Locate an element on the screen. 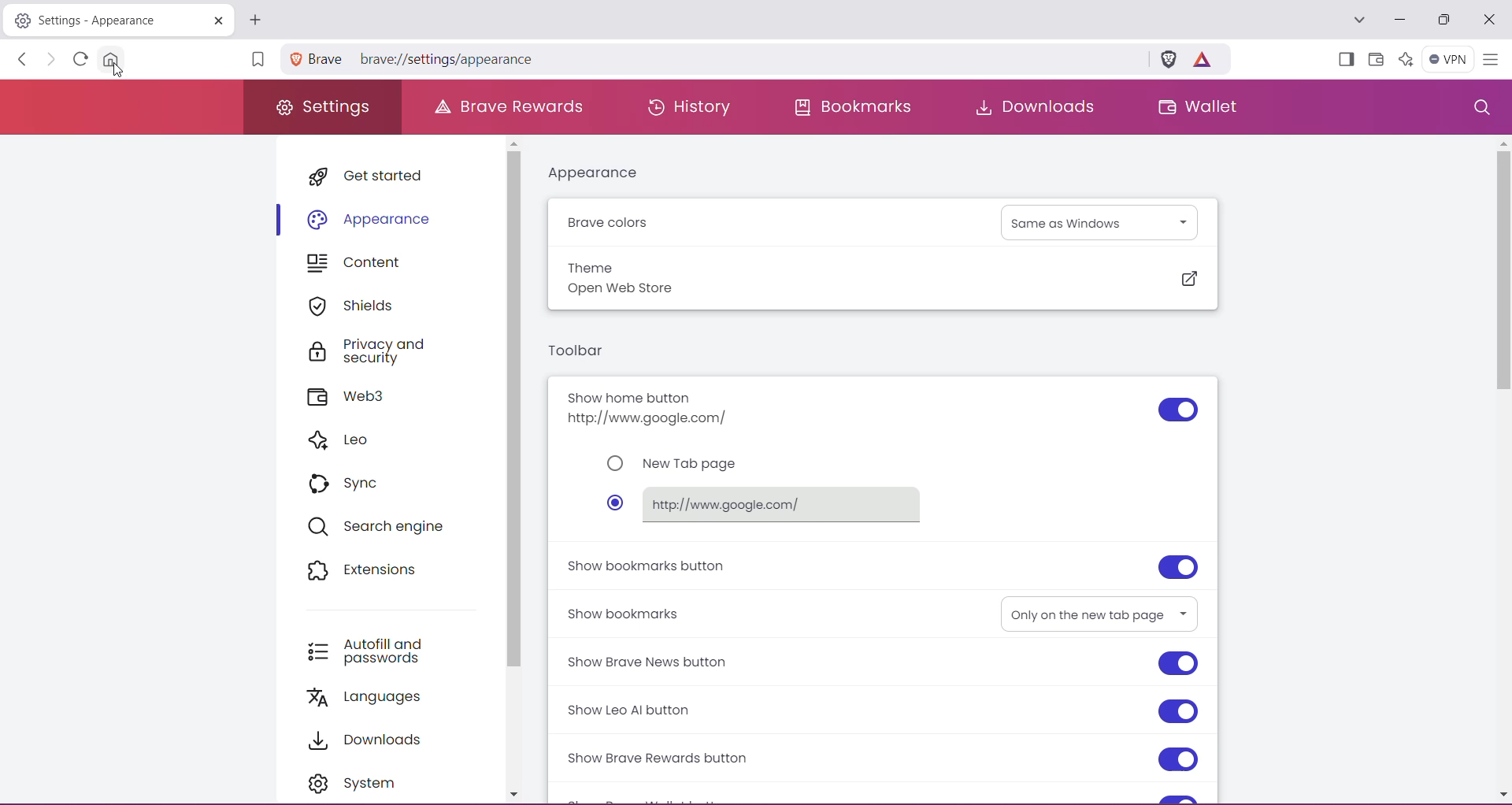 The width and height of the screenshot is (1512, 805). Brave Firewall + VPN is located at coordinates (1447, 57).